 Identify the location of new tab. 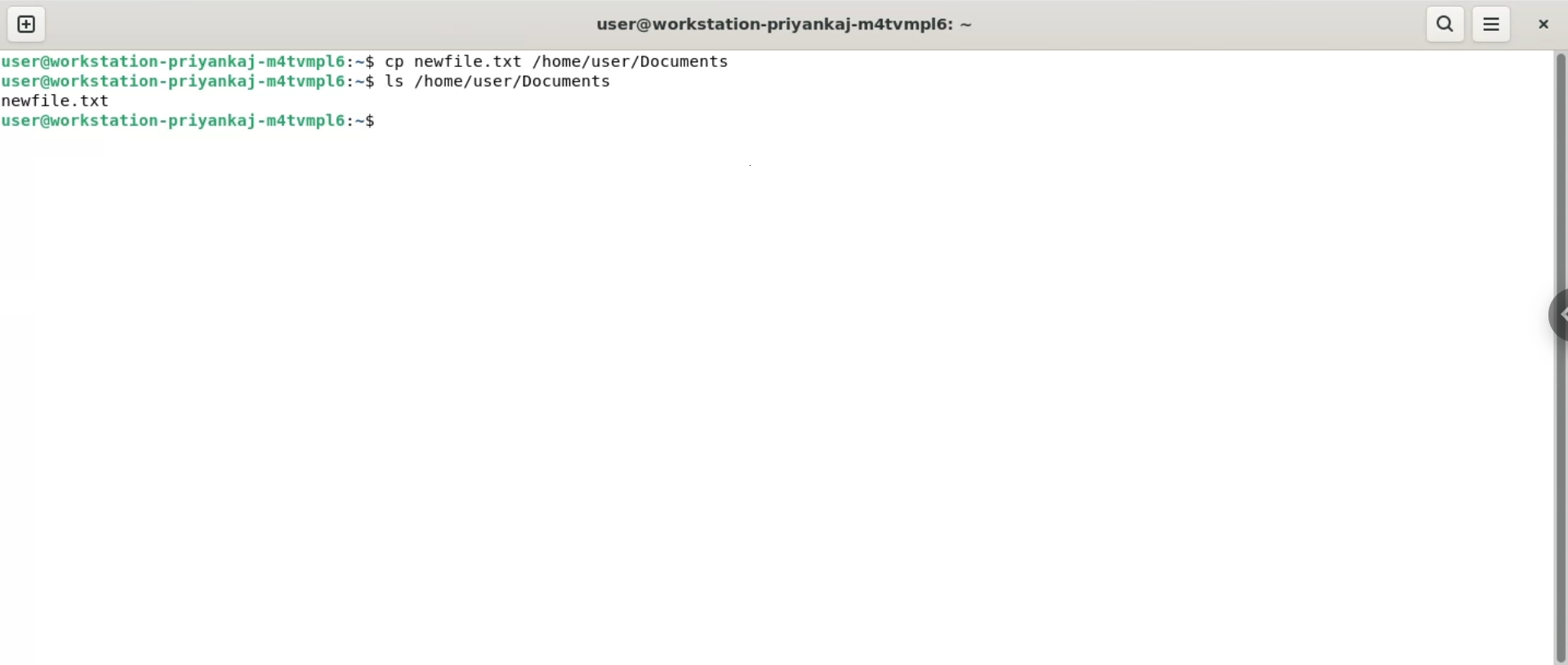
(26, 24).